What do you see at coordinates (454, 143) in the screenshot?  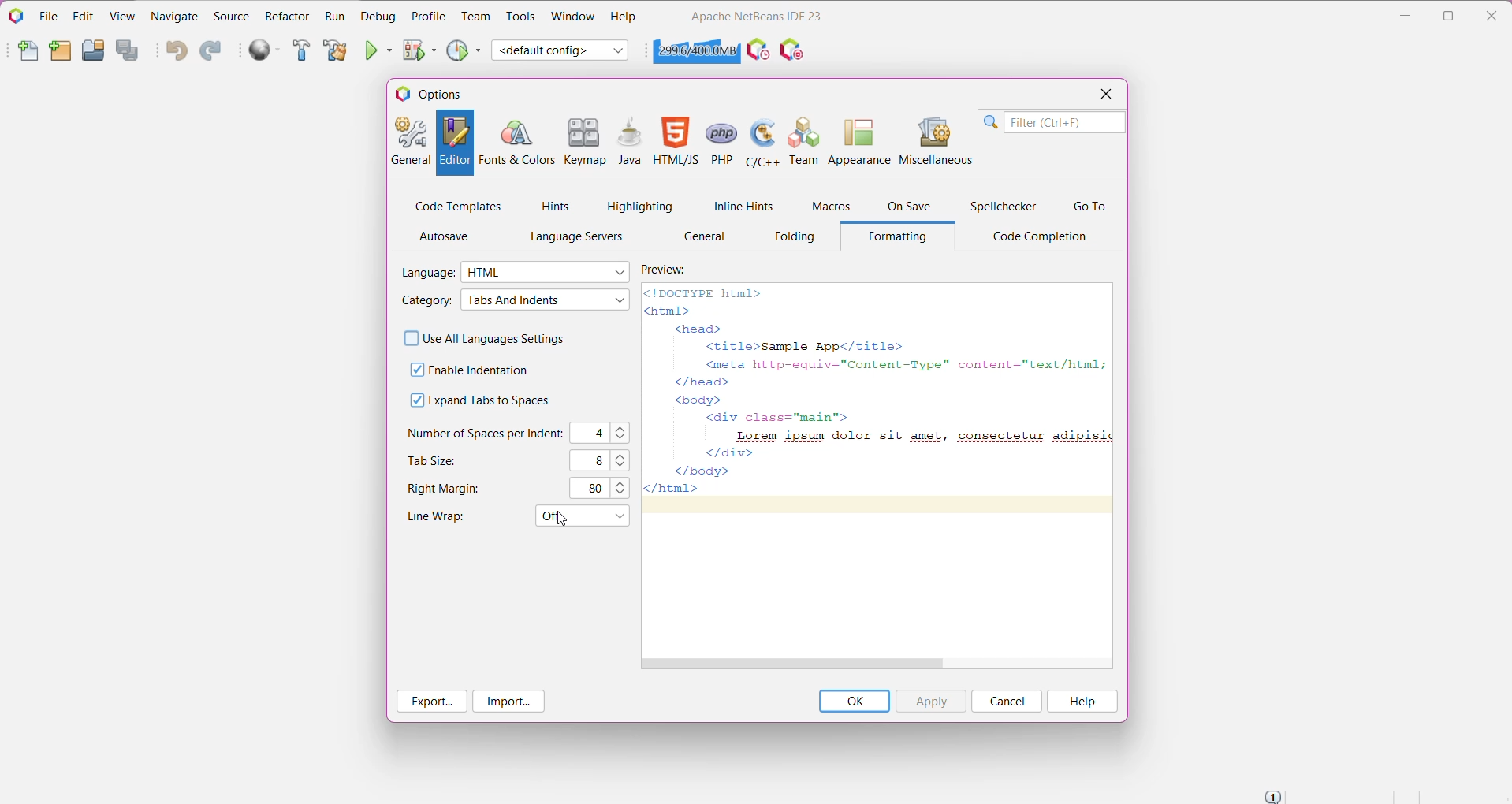 I see `Editor` at bounding box center [454, 143].